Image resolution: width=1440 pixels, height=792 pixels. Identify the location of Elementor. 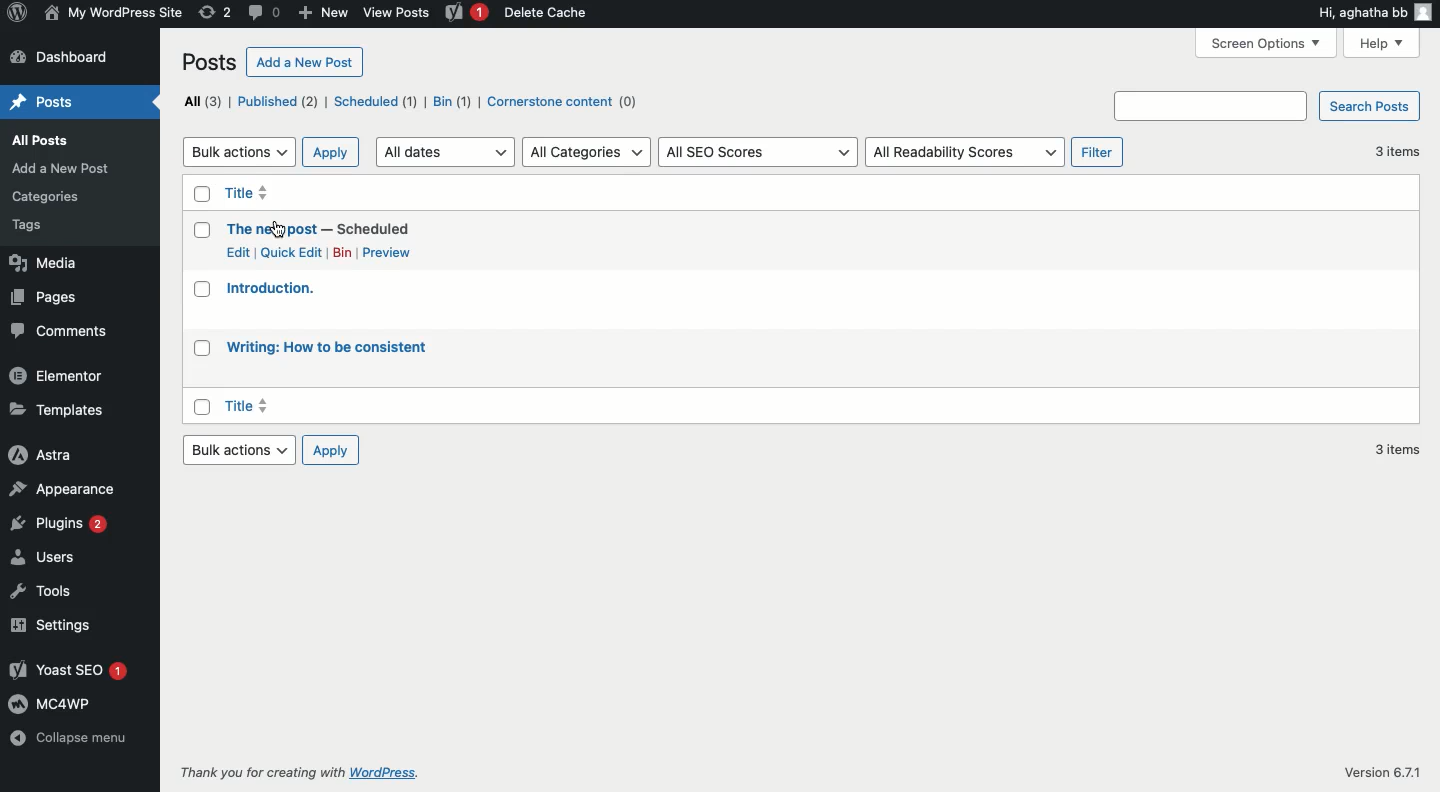
(58, 375).